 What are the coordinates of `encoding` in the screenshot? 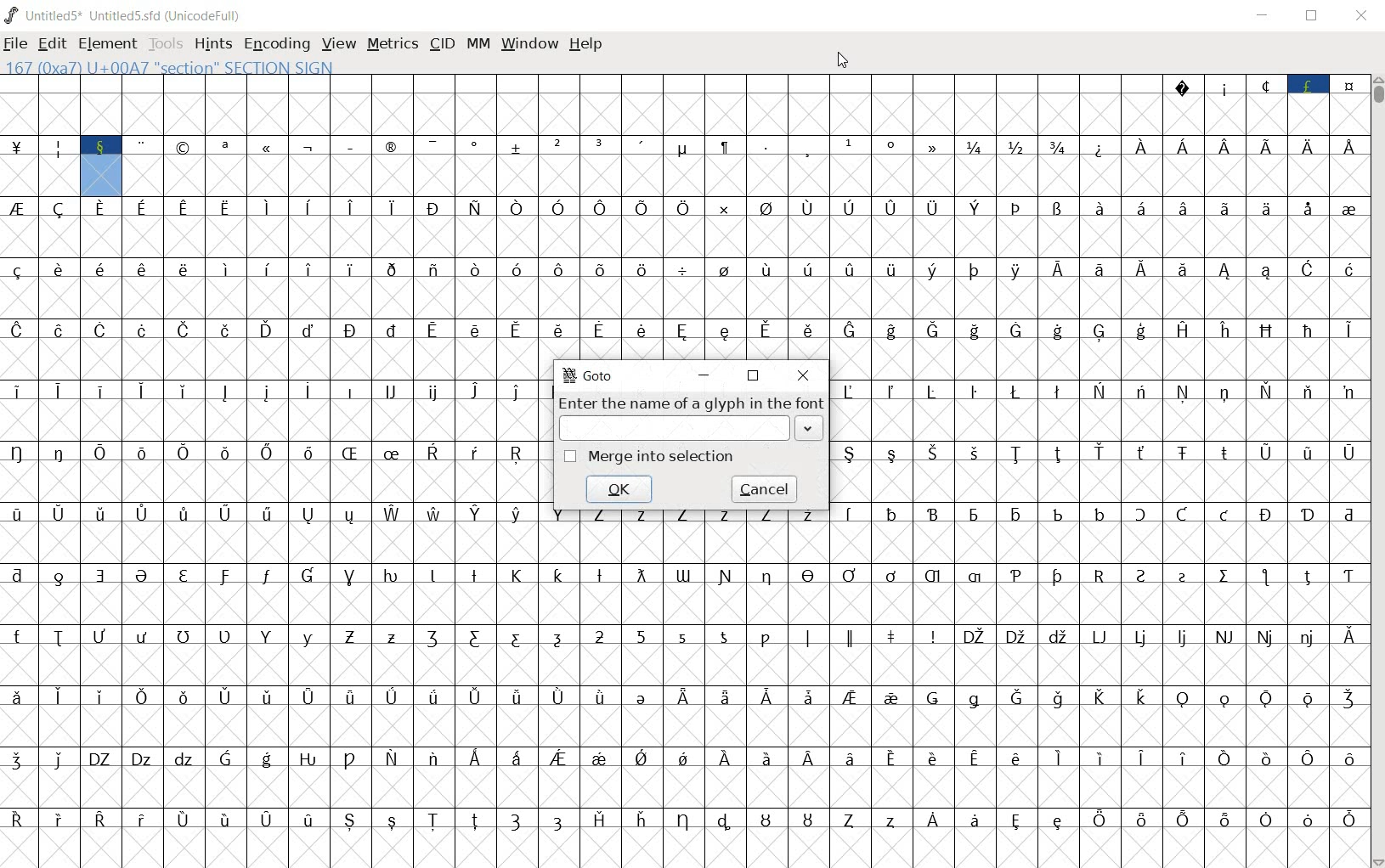 It's located at (276, 42).